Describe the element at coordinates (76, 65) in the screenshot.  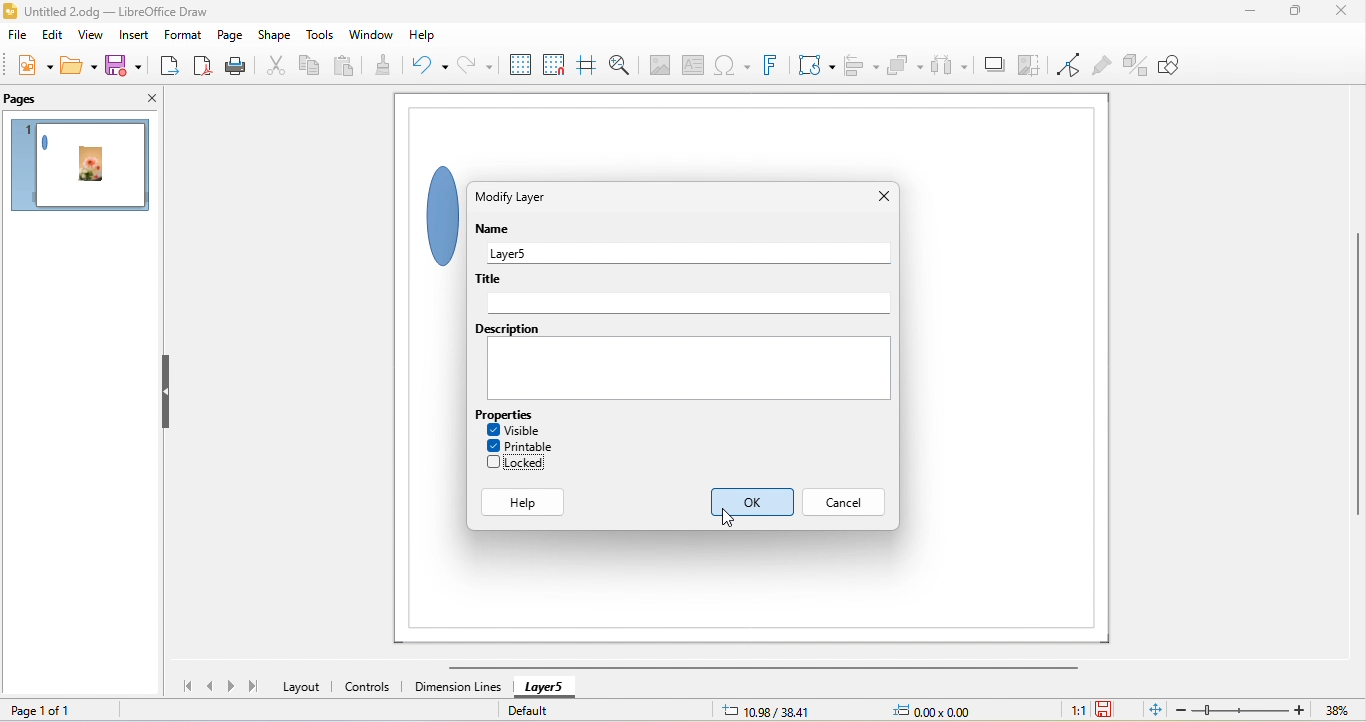
I see `open` at that location.